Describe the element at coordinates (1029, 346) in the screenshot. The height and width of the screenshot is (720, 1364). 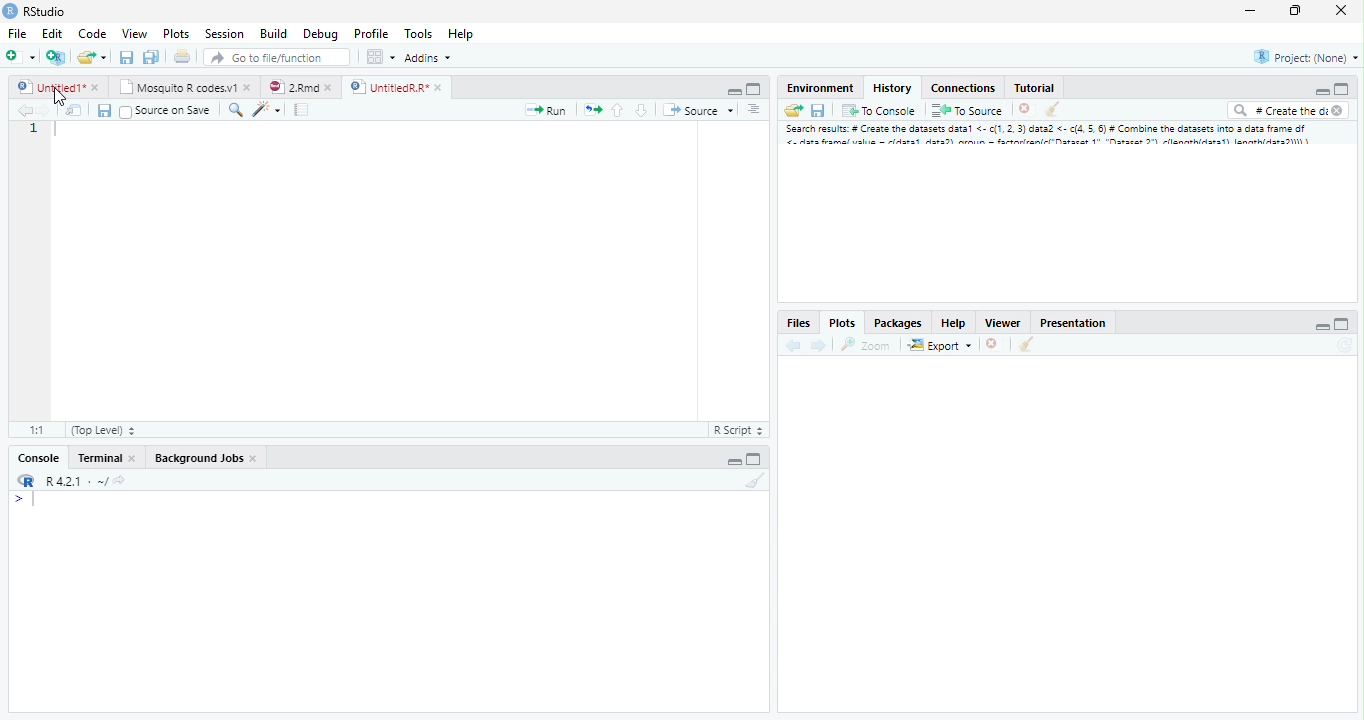
I see `Clear console` at that location.